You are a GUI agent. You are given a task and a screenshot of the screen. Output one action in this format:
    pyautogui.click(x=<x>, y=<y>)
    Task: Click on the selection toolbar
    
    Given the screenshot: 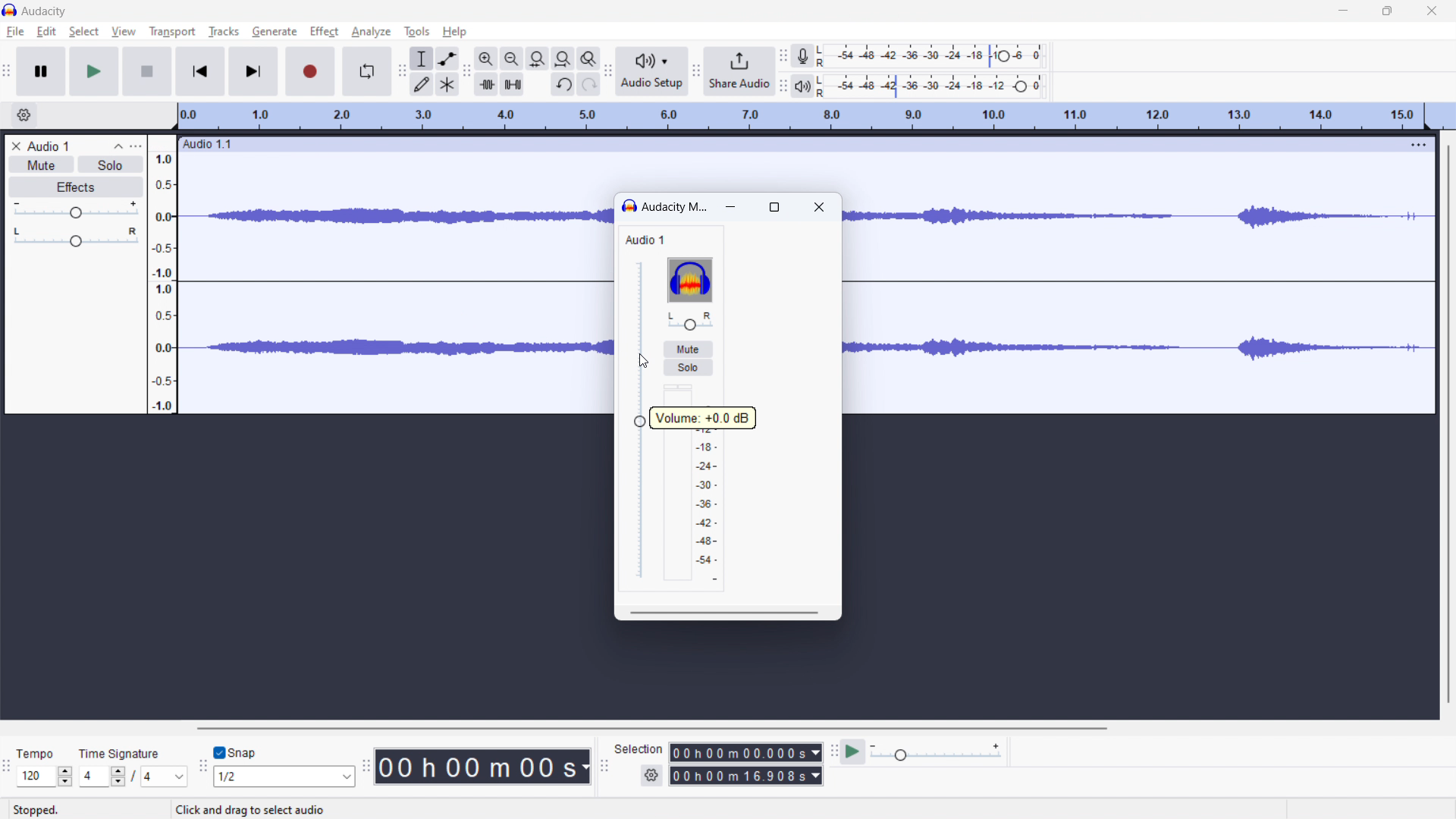 What is the action you would take?
    pyautogui.click(x=604, y=766)
    